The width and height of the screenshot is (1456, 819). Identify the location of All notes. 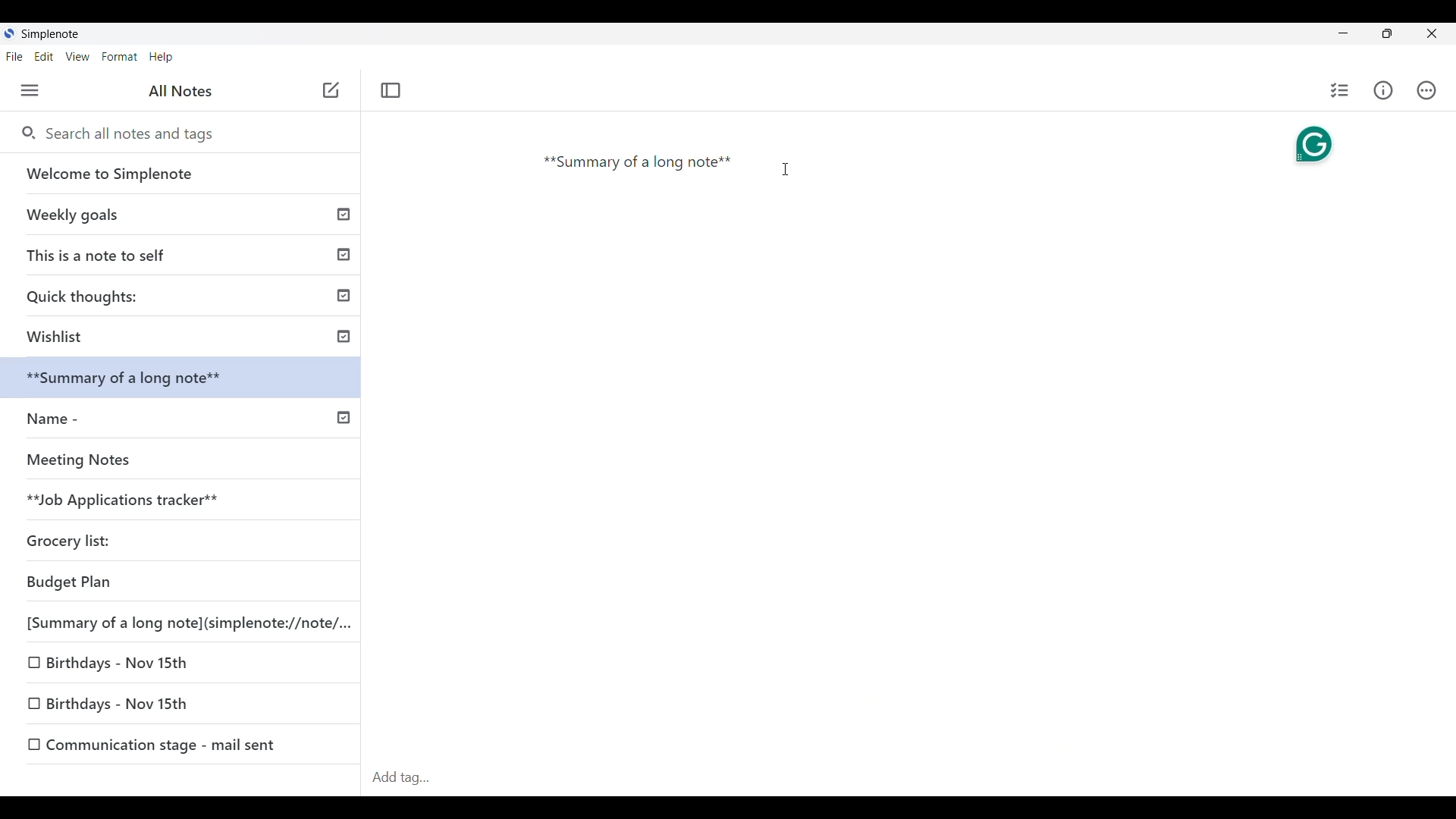
(180, 90).